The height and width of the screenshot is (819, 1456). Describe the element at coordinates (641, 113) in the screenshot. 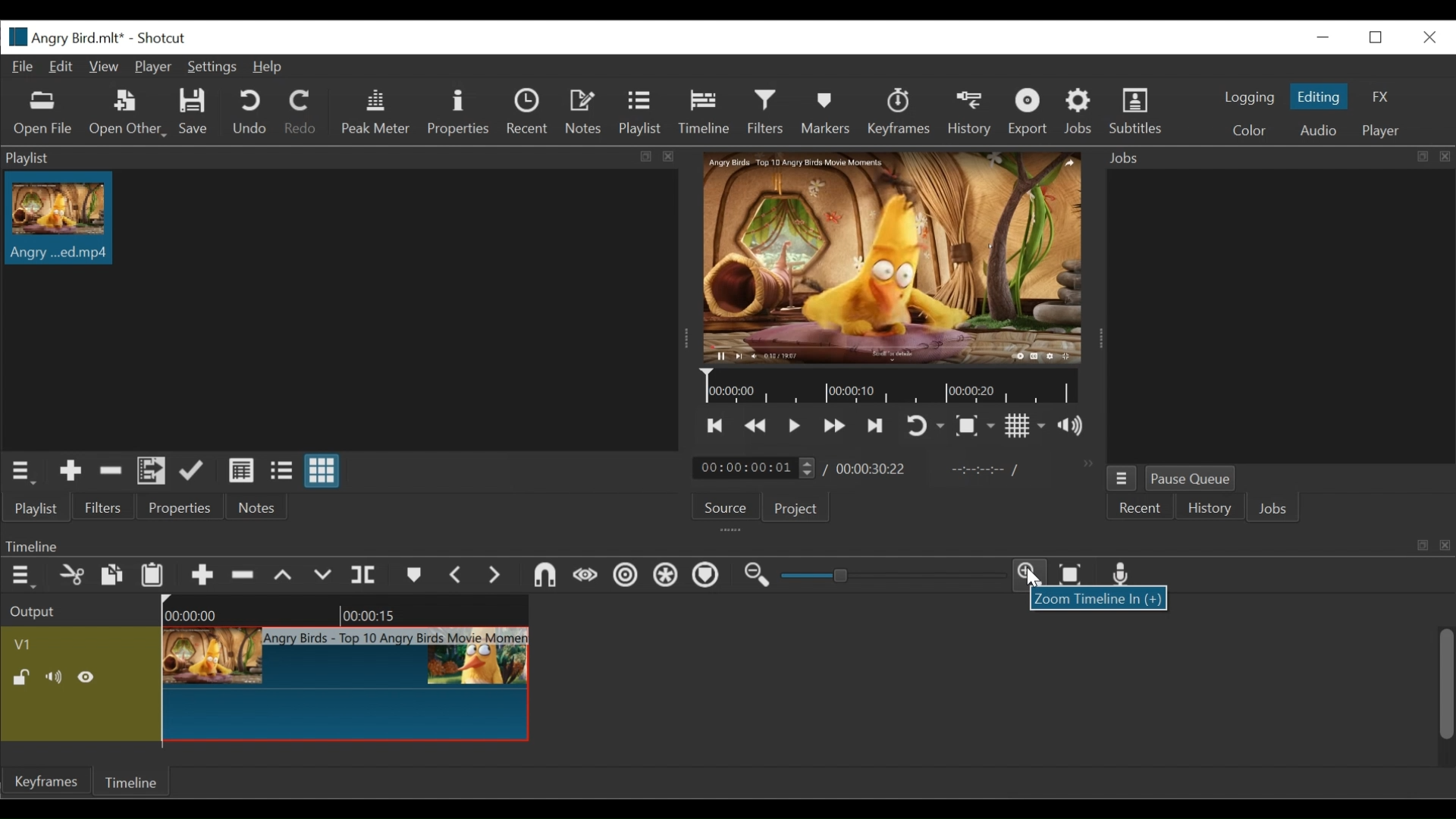

I see `Playlist` at that location.